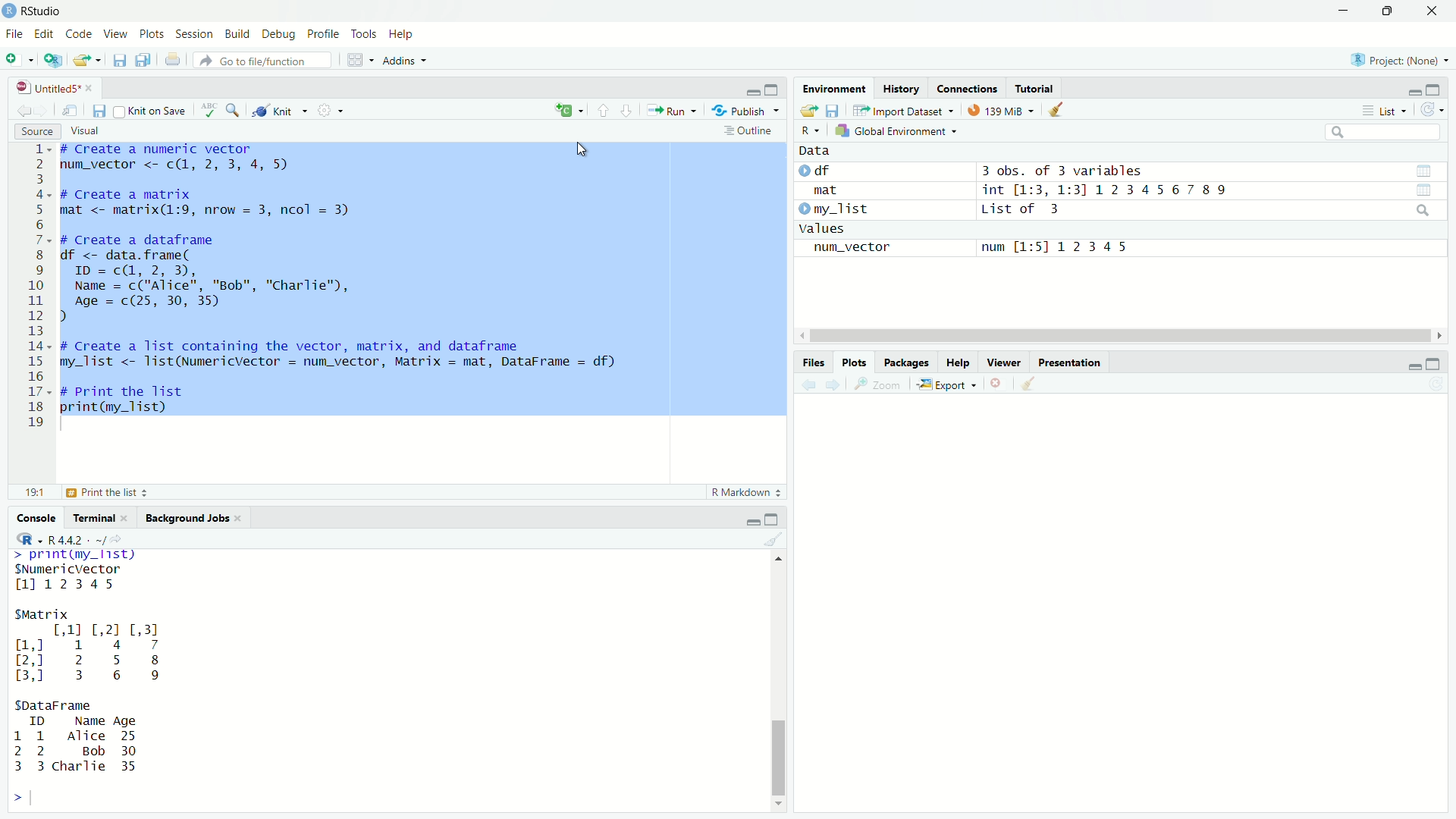 The height and width of the screenshot is (819, 1456). What do you see at coordinates (777, 517) in the screenshot?
I see `maximise` at bounding box center [777, 517].